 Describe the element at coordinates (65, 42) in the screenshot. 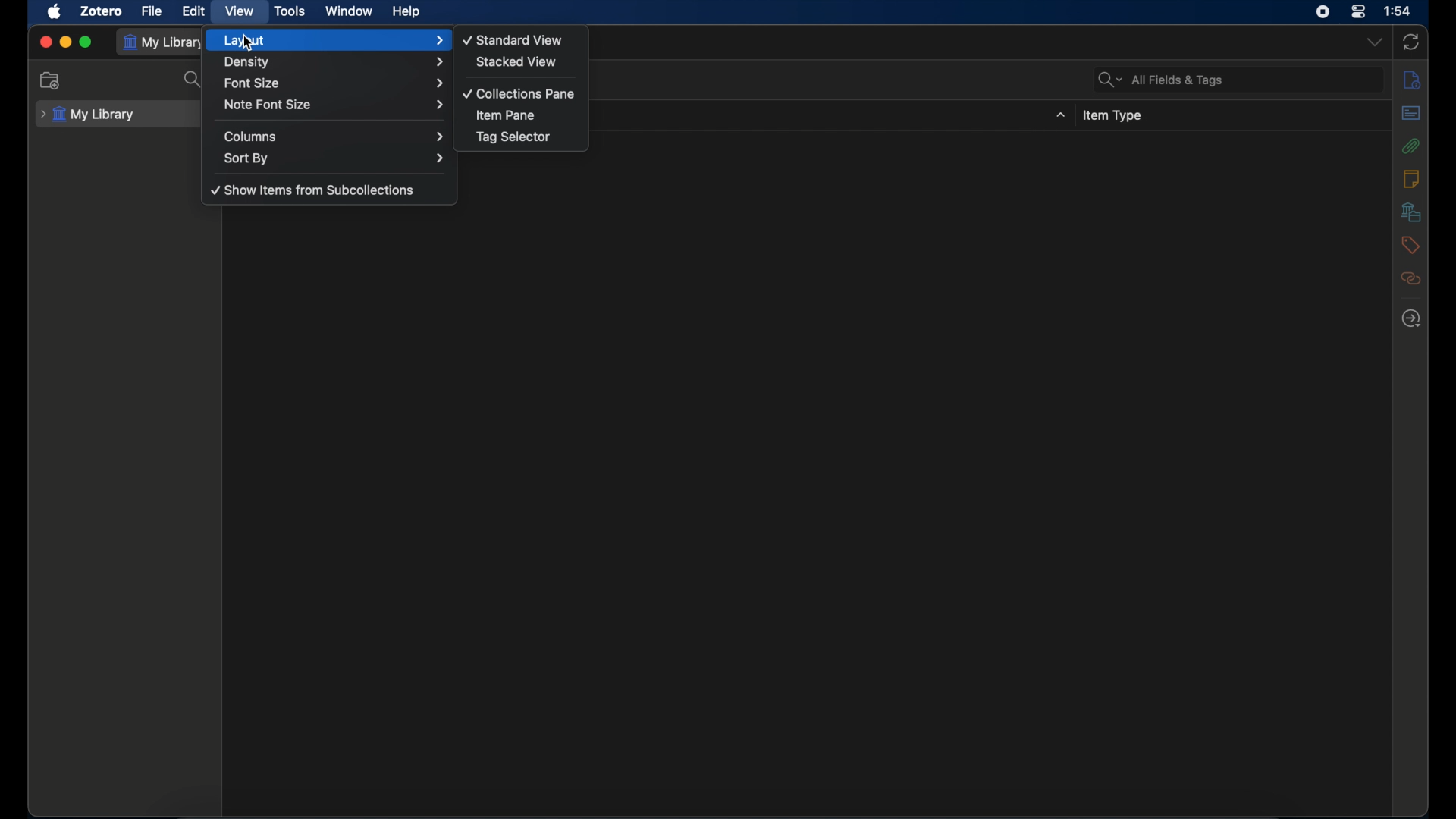

I see `minimize` at that location.